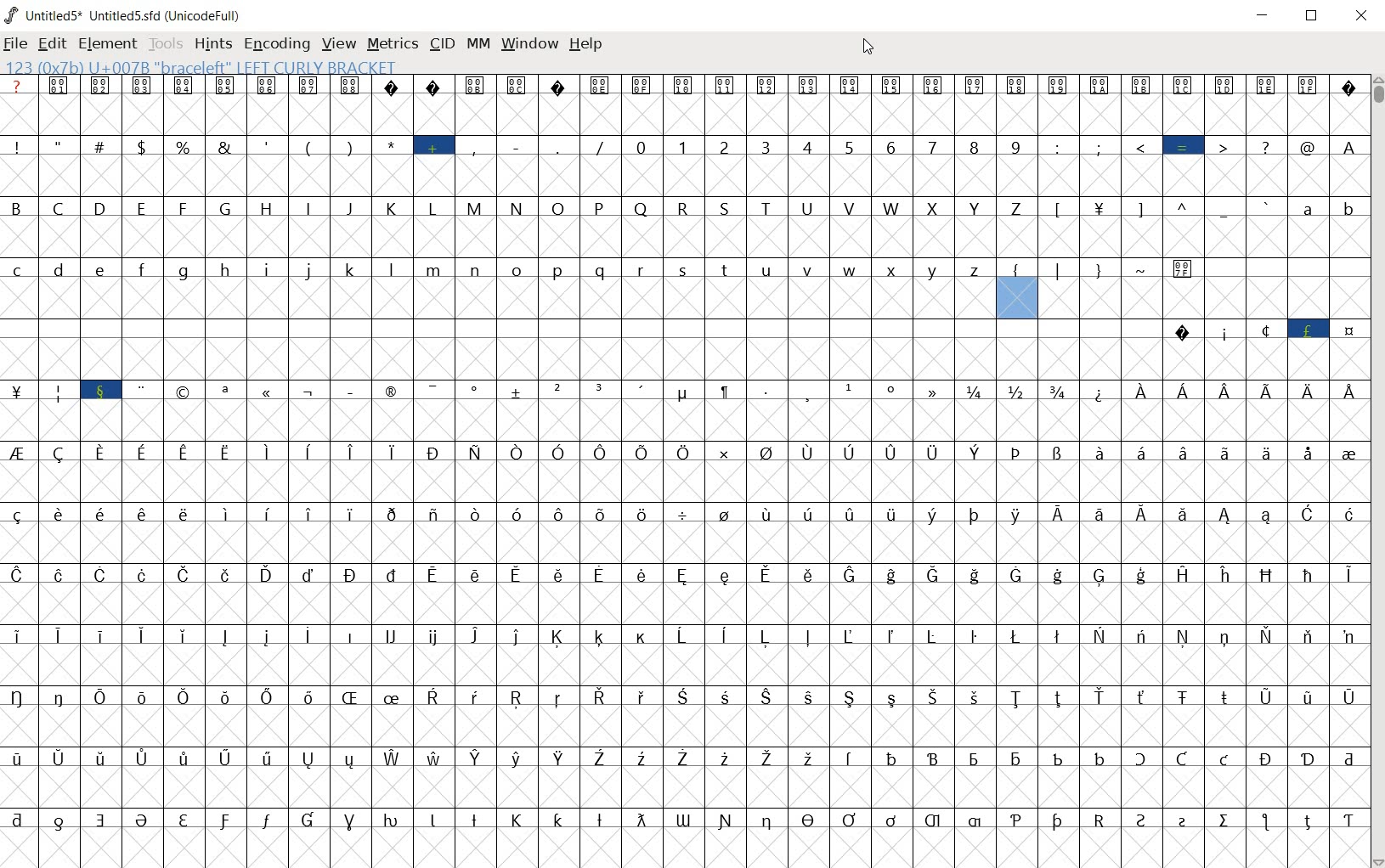 Image resolution: width=1385 pixels, height=868 pixels. What do you see at coordinates (1266, 16) in the screenshot?
I see `minimize` at bounding box center [1266, 16].